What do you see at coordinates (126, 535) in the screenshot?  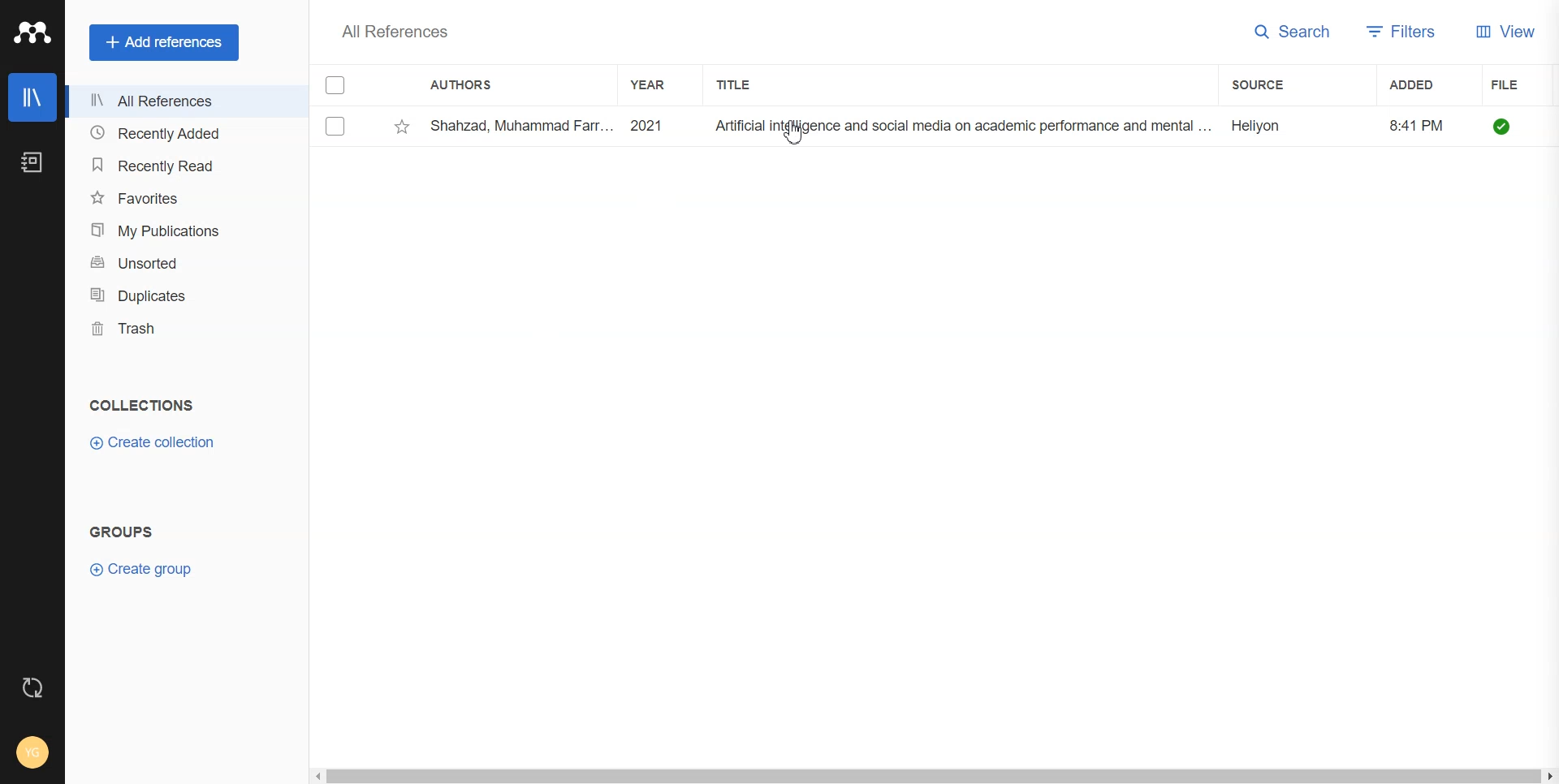 I see `Groups` at bounding box center [126, 535].